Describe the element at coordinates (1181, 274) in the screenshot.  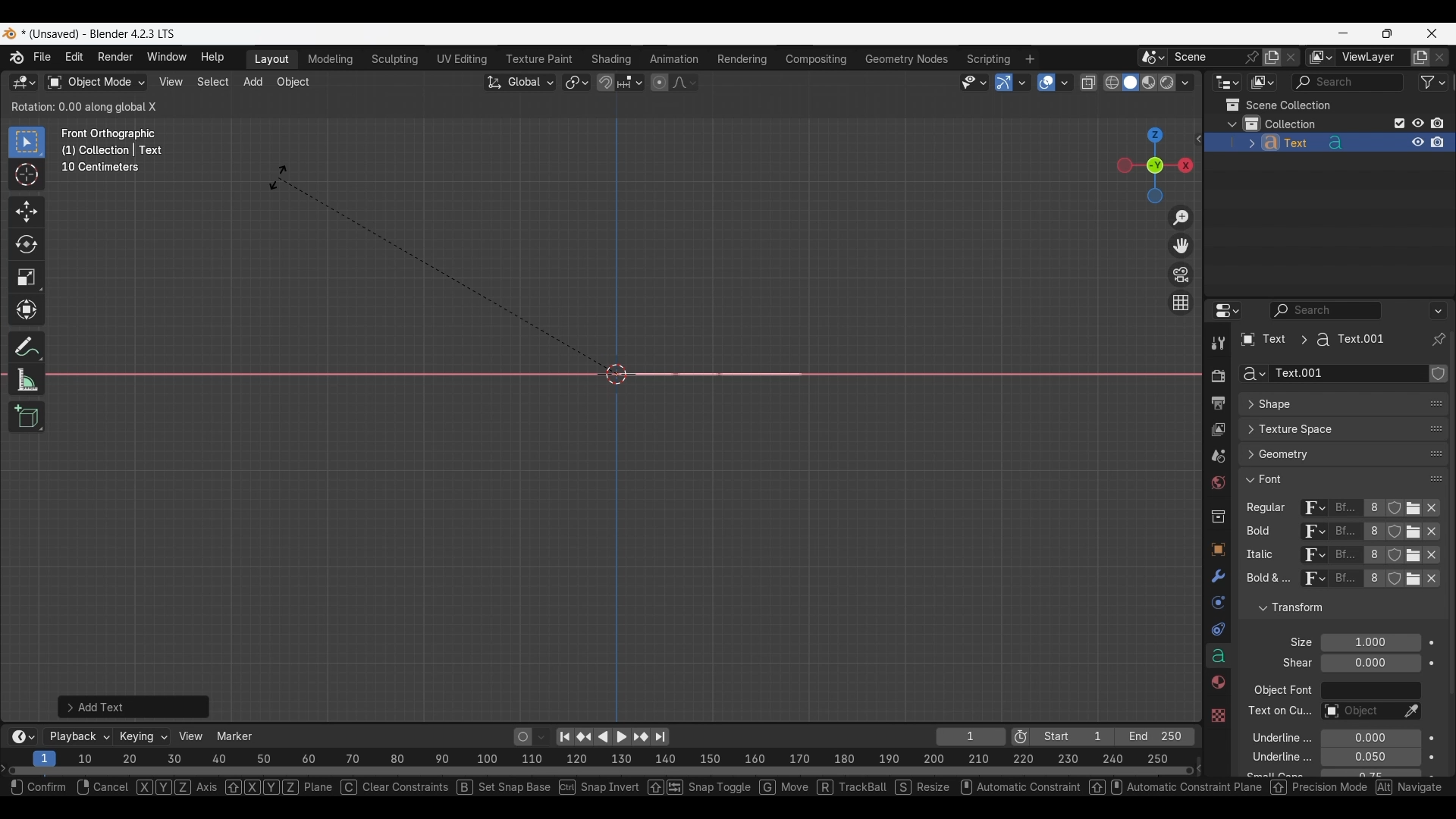
I see `Toggle camera view` at that location.